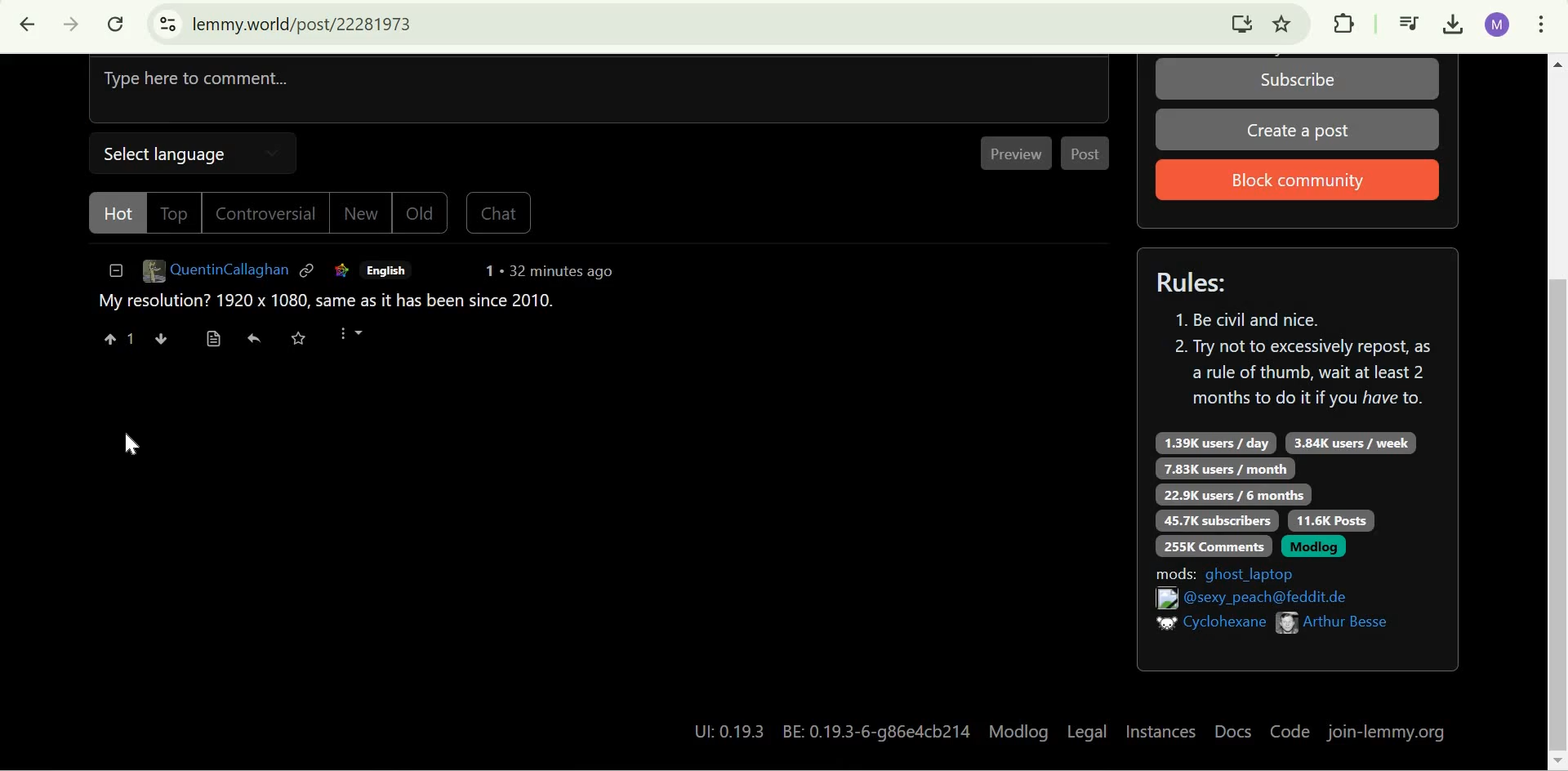 The width and height of the screenshot is (1568, 771). Describe the element at coordinates (1232, 733) in the screenshot. I see `Docs` at that location.